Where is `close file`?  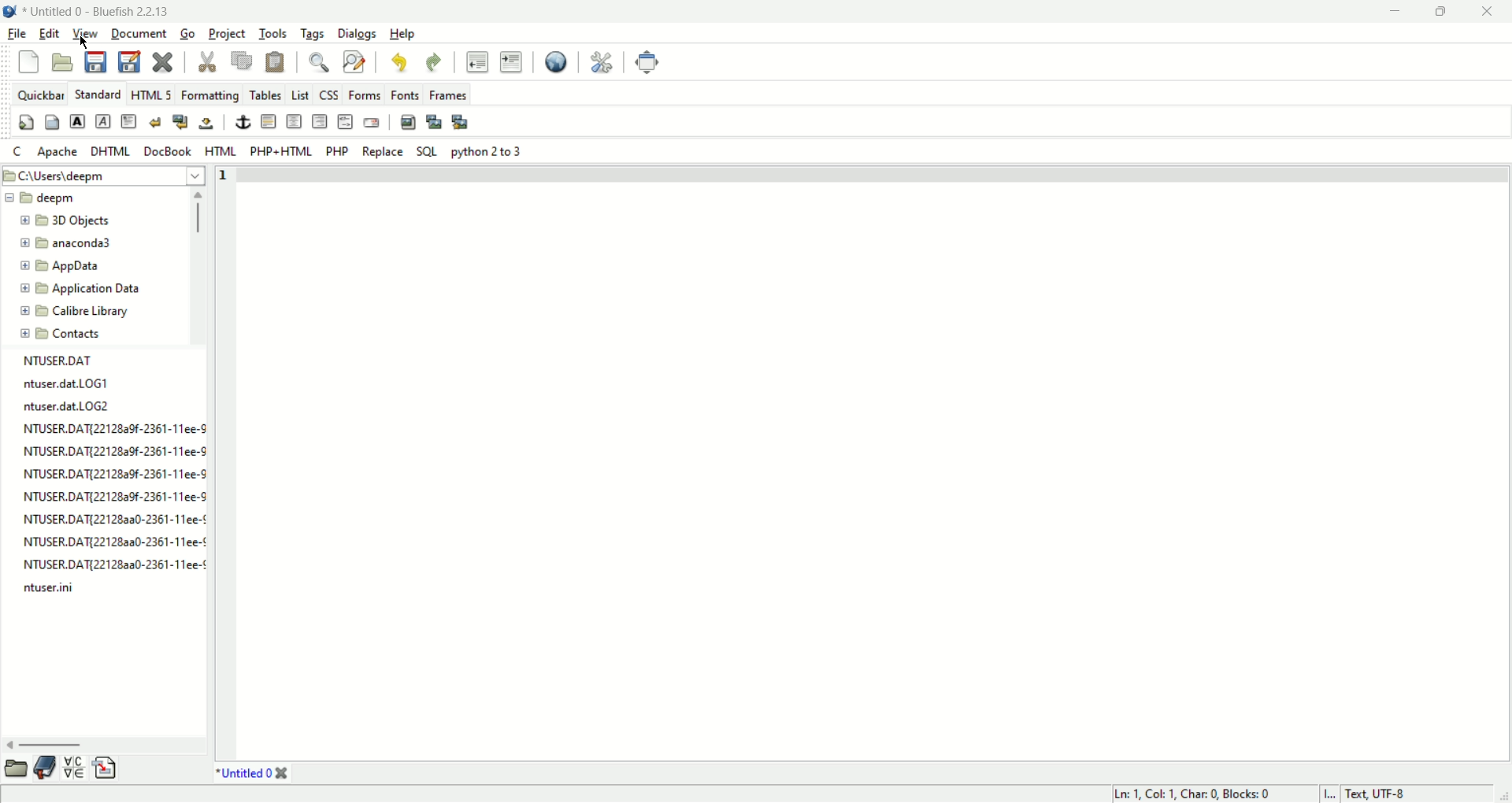 close file is located at coordinates (162, 61).